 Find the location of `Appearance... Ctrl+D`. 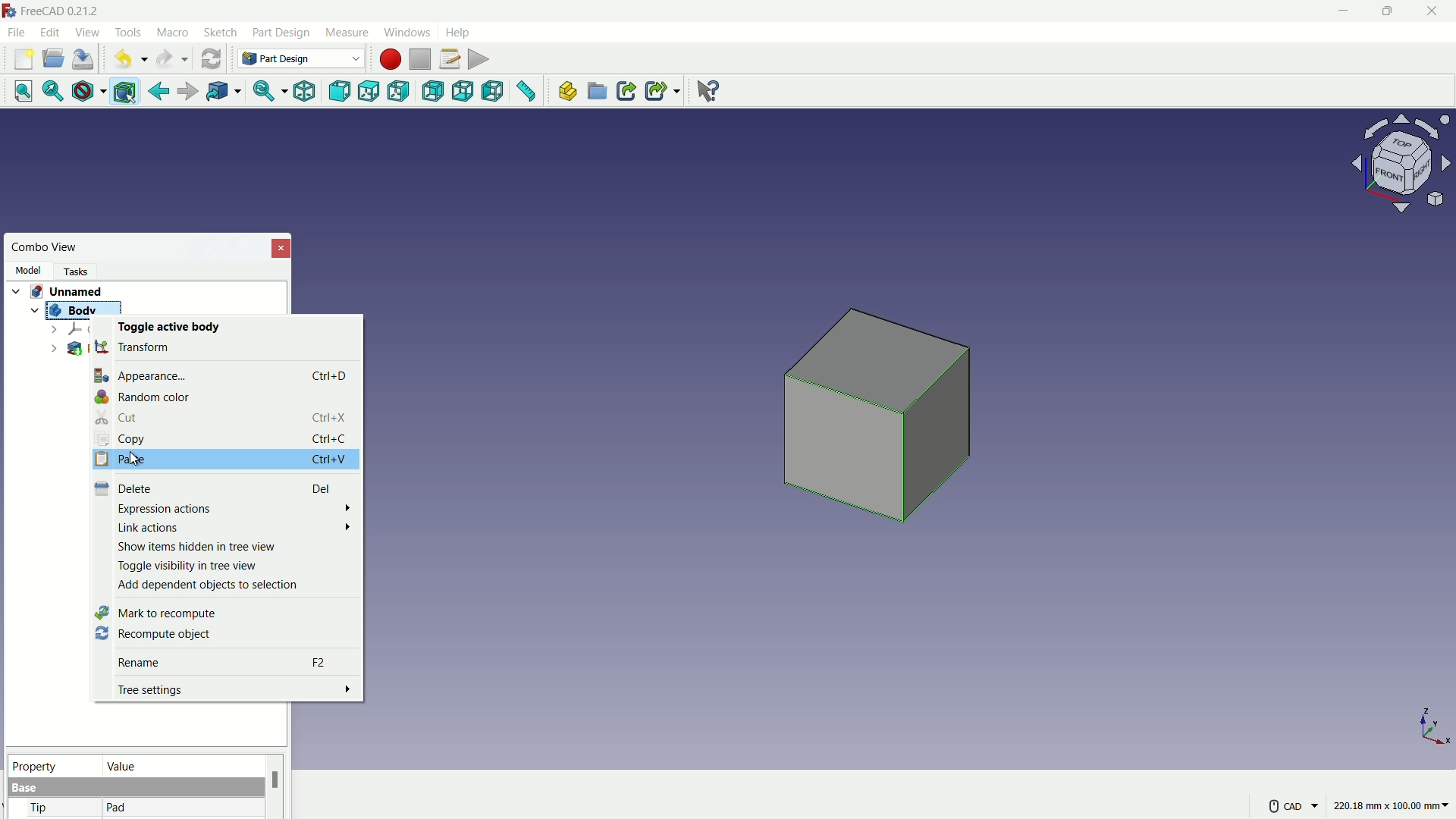

Appearance... Ctrl+D is located at coordinates (226, 376).